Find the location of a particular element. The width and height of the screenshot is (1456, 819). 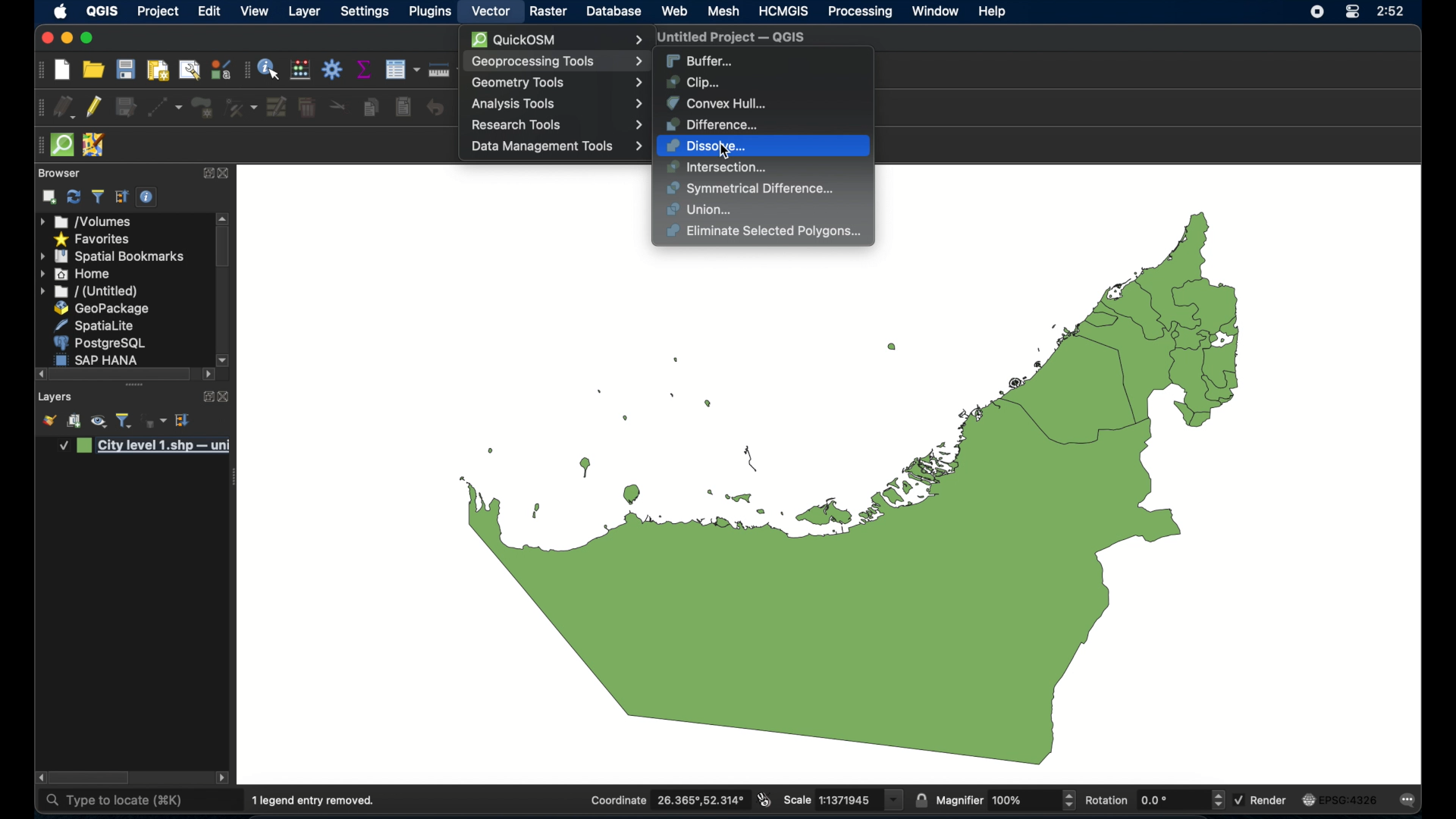

magnifier is located at coordinates (1006, 799).